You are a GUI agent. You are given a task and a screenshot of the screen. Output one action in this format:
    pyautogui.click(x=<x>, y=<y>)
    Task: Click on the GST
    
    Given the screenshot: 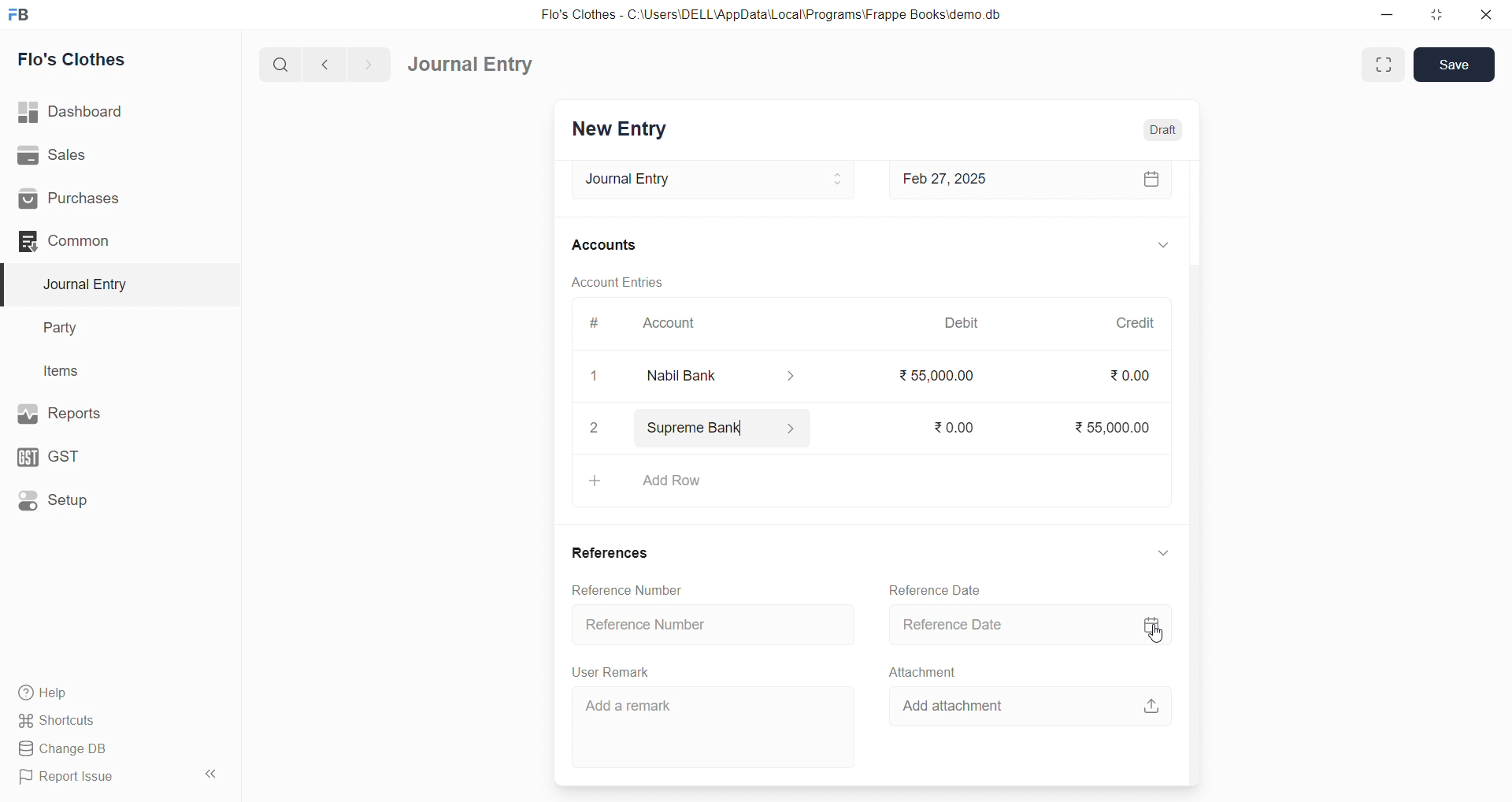 What is the action you would take?
    pyautogui.click(x=86, y=457)
    